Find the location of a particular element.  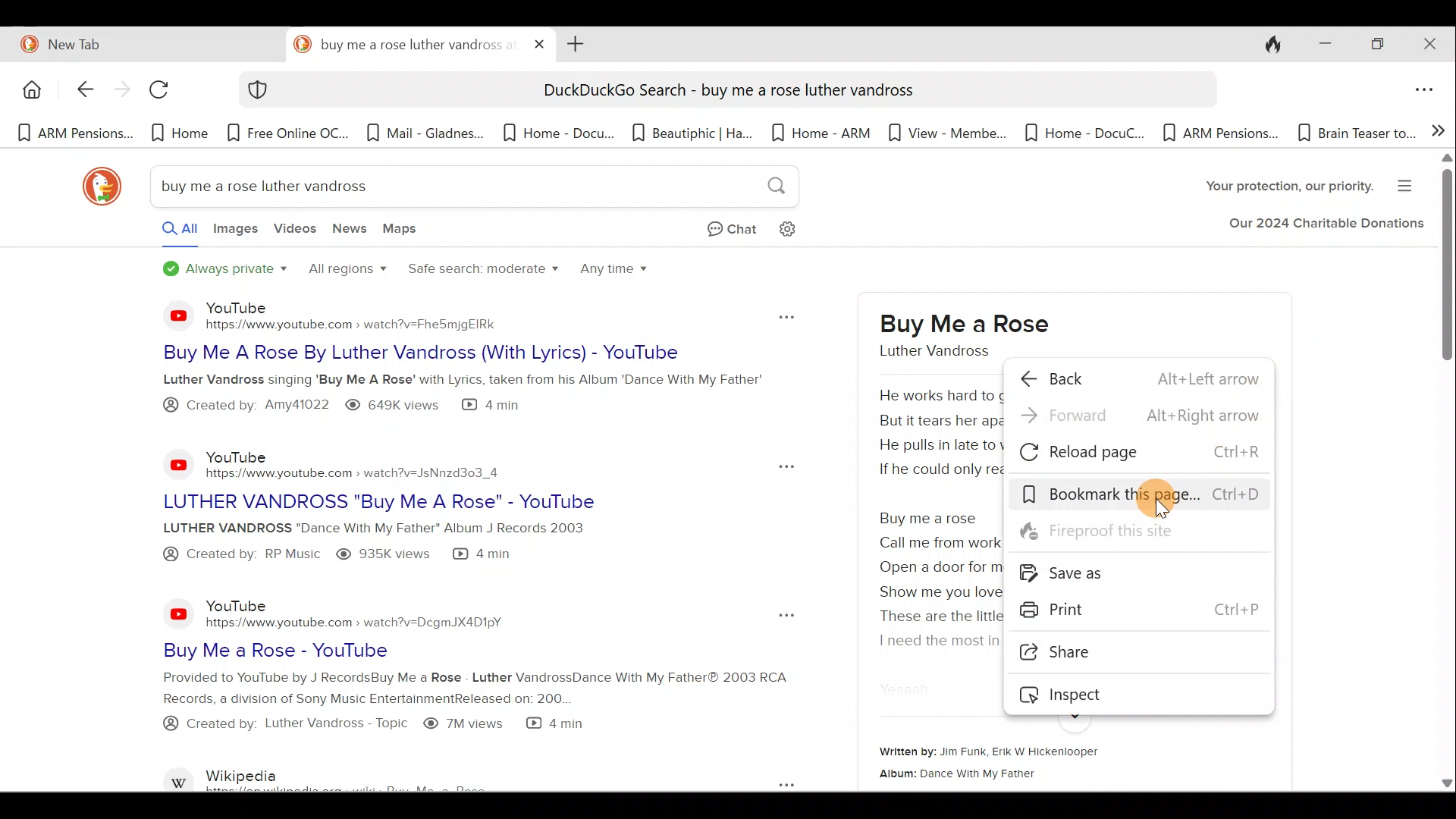

Any time is located at coordinates (616, 273).